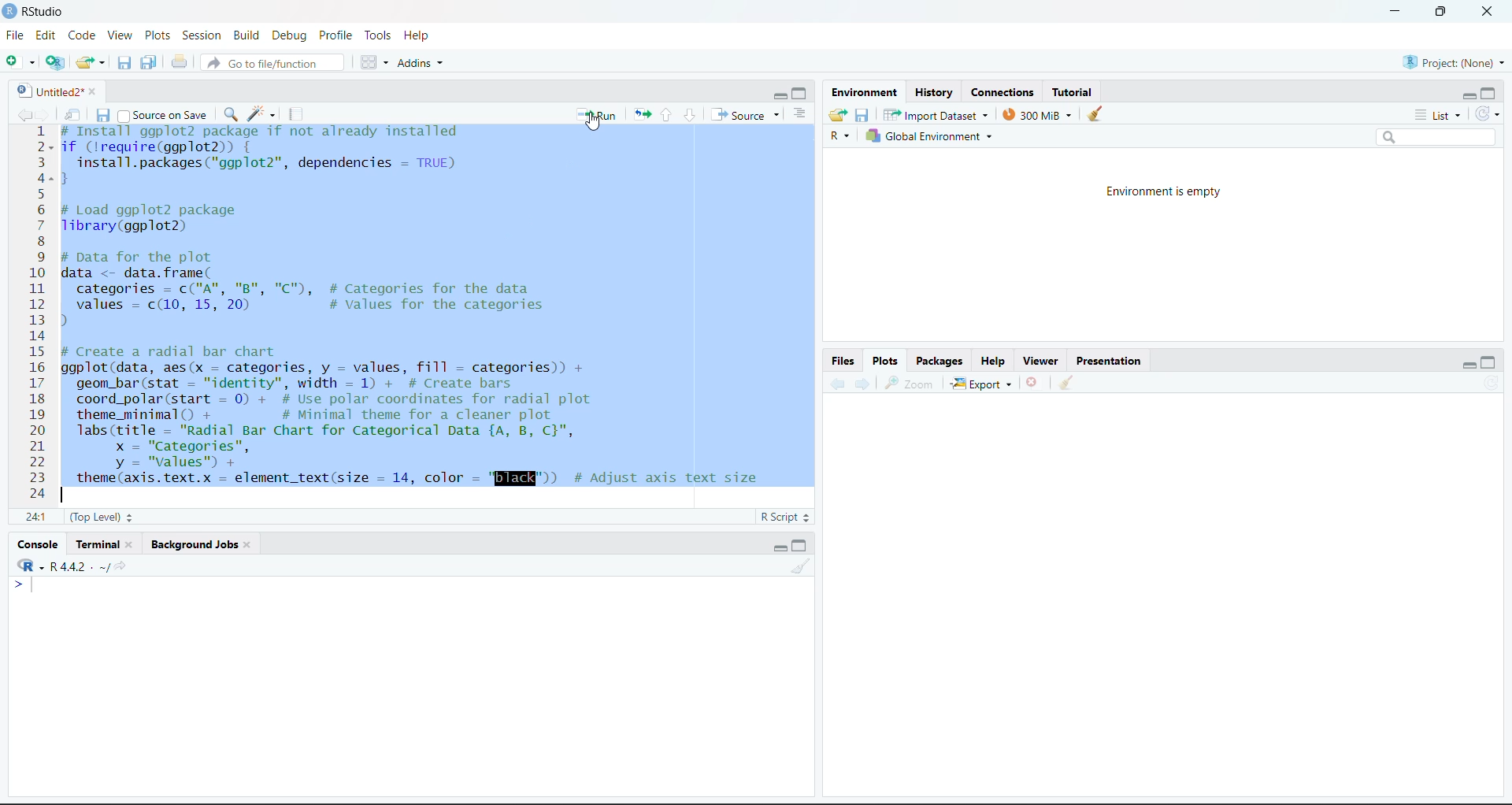  I want to click on hide r  script, so click(1464, 95).